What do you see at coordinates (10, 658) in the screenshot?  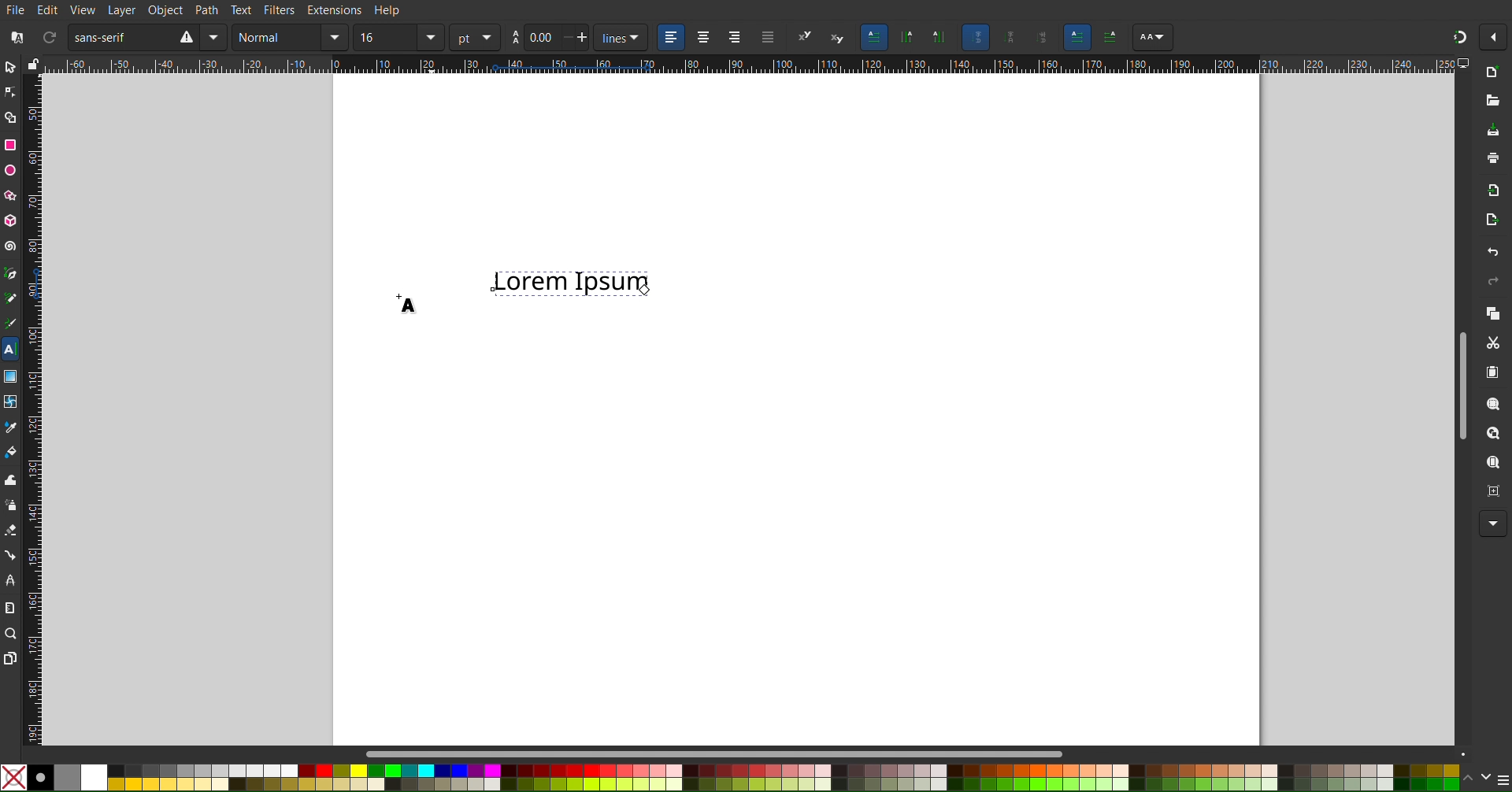 I see `Pages Tool` at bounding box center [10, 658].